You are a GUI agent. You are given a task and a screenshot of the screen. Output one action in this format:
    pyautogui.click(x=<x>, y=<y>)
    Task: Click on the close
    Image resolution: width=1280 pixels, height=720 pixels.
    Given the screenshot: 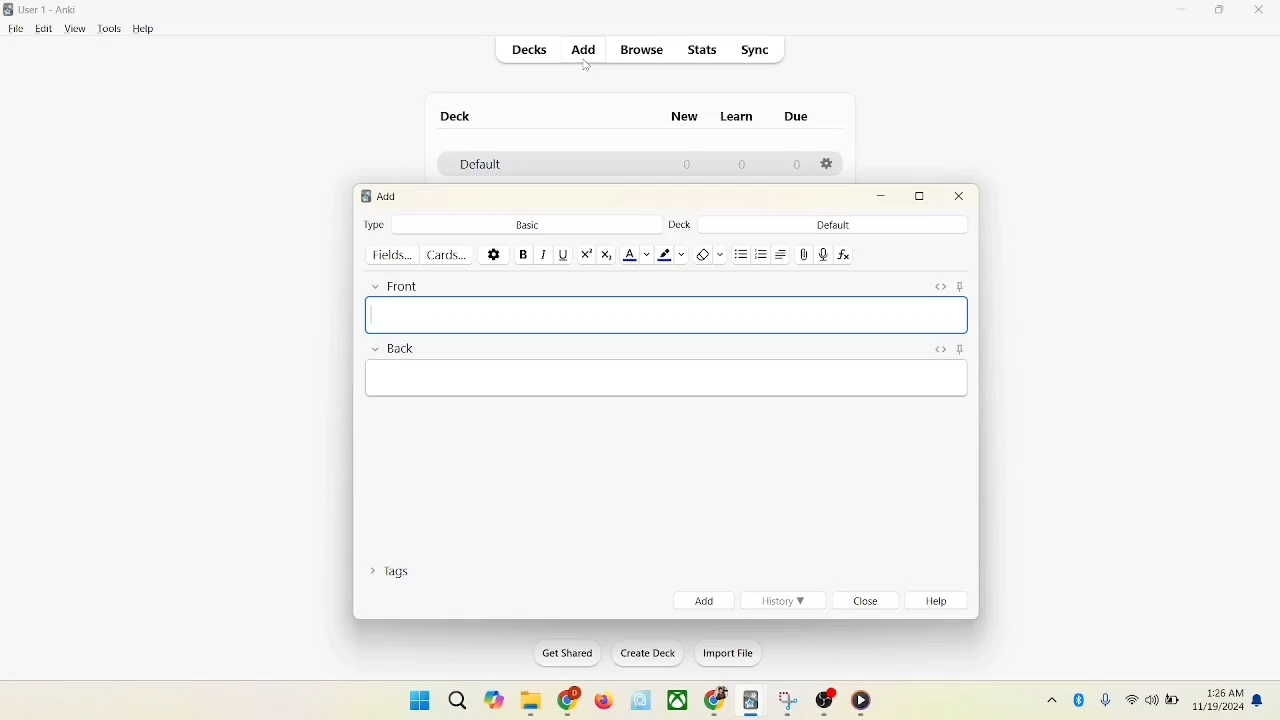 What is the action you would take?
    pyautogui.click(x=960, y=199)
    